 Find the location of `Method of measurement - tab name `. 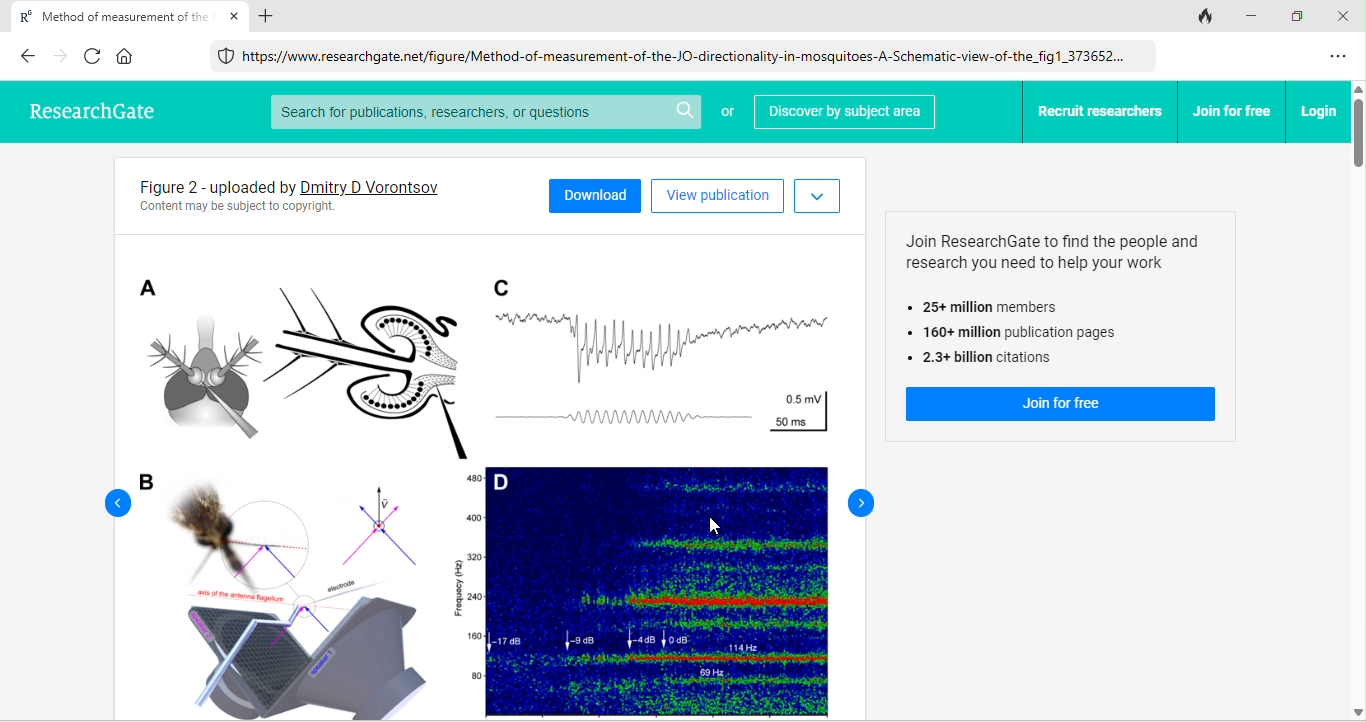

Method of measurement - tab name  is located at coordinates (109, 15).